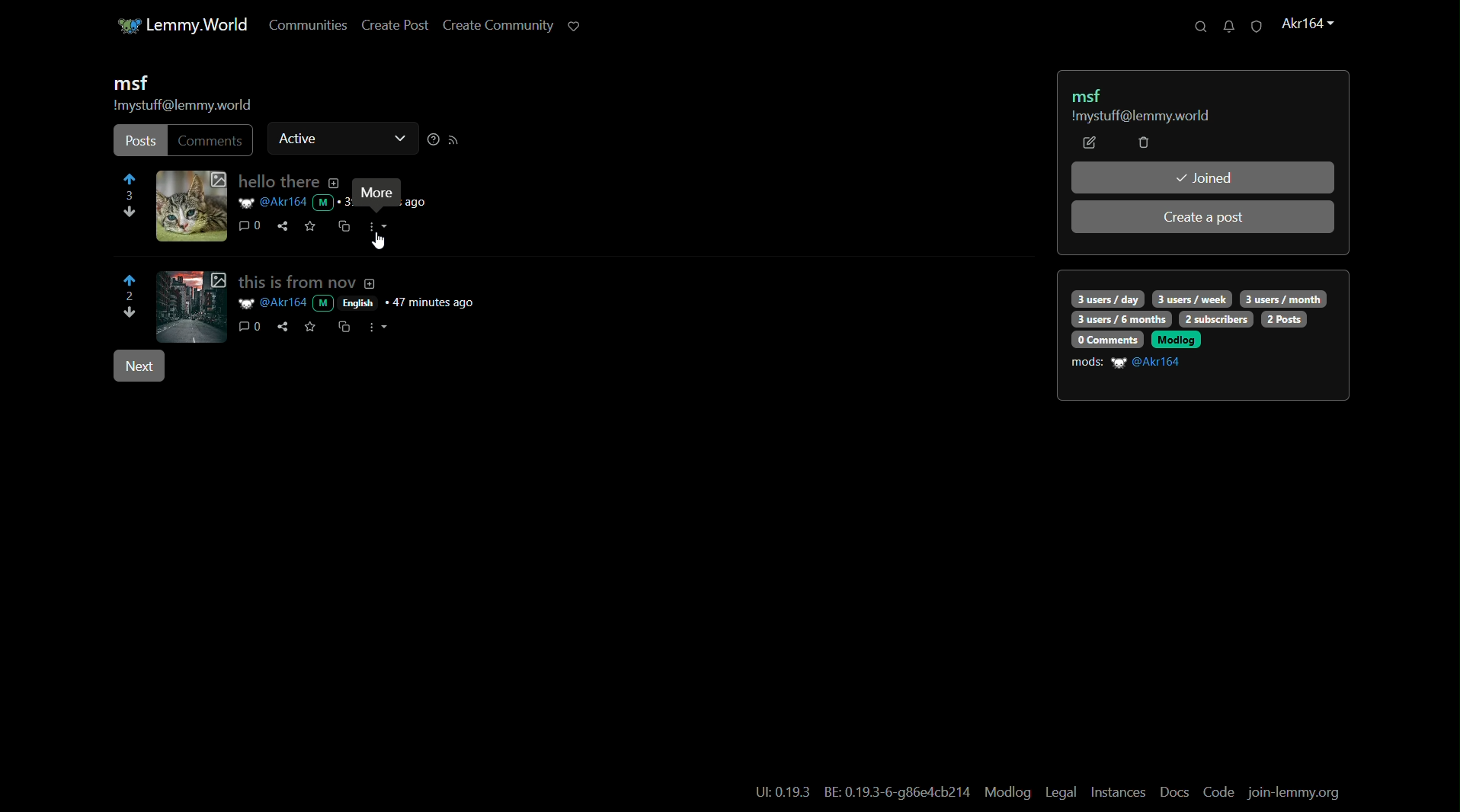 The image size is (1460, 812). Describe the element at coordinates (371, 303) in the screenshot. I see `post details` at that location.